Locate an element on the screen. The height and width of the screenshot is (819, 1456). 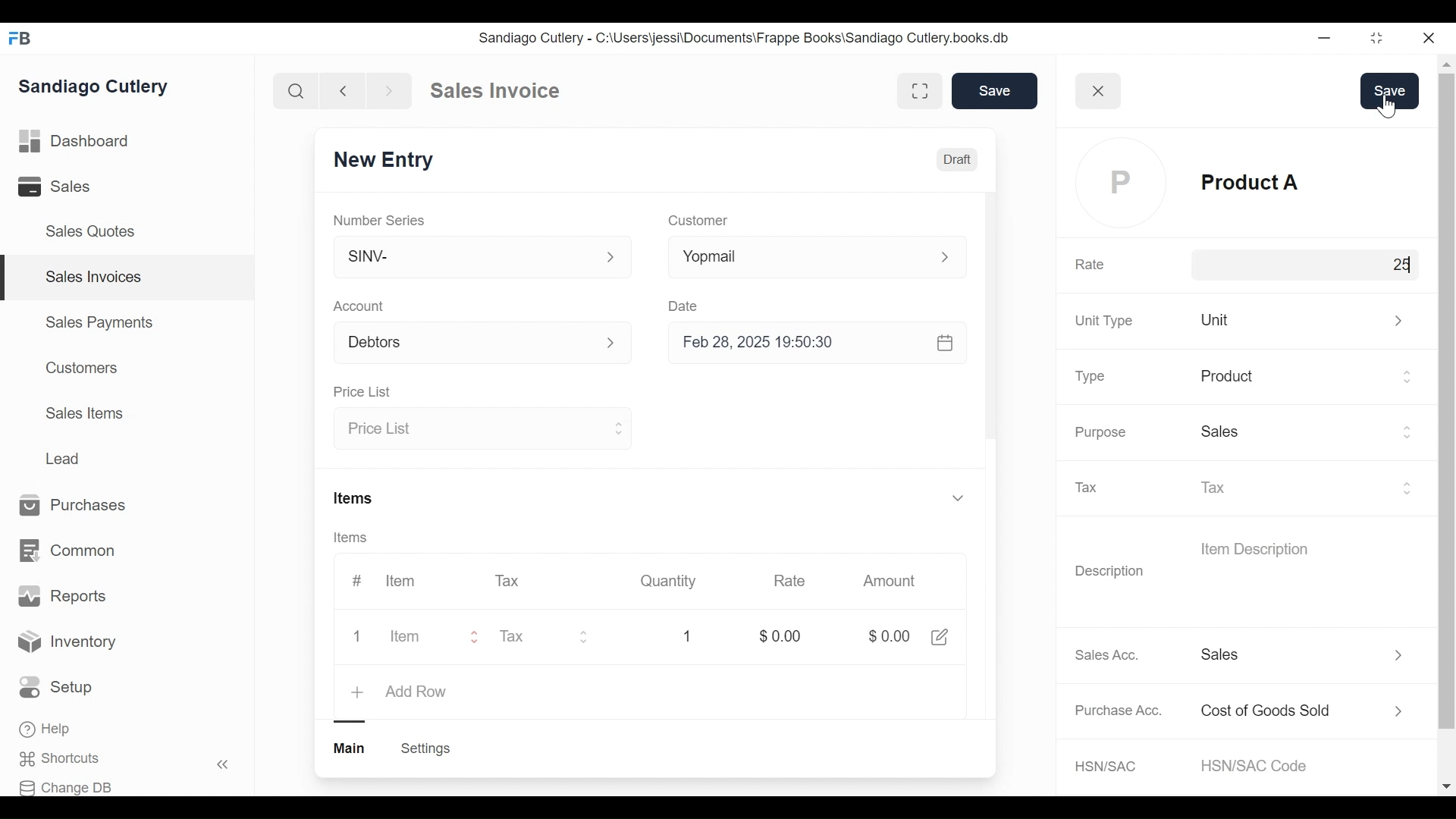
FB logo is located at coordinates (20, 38).